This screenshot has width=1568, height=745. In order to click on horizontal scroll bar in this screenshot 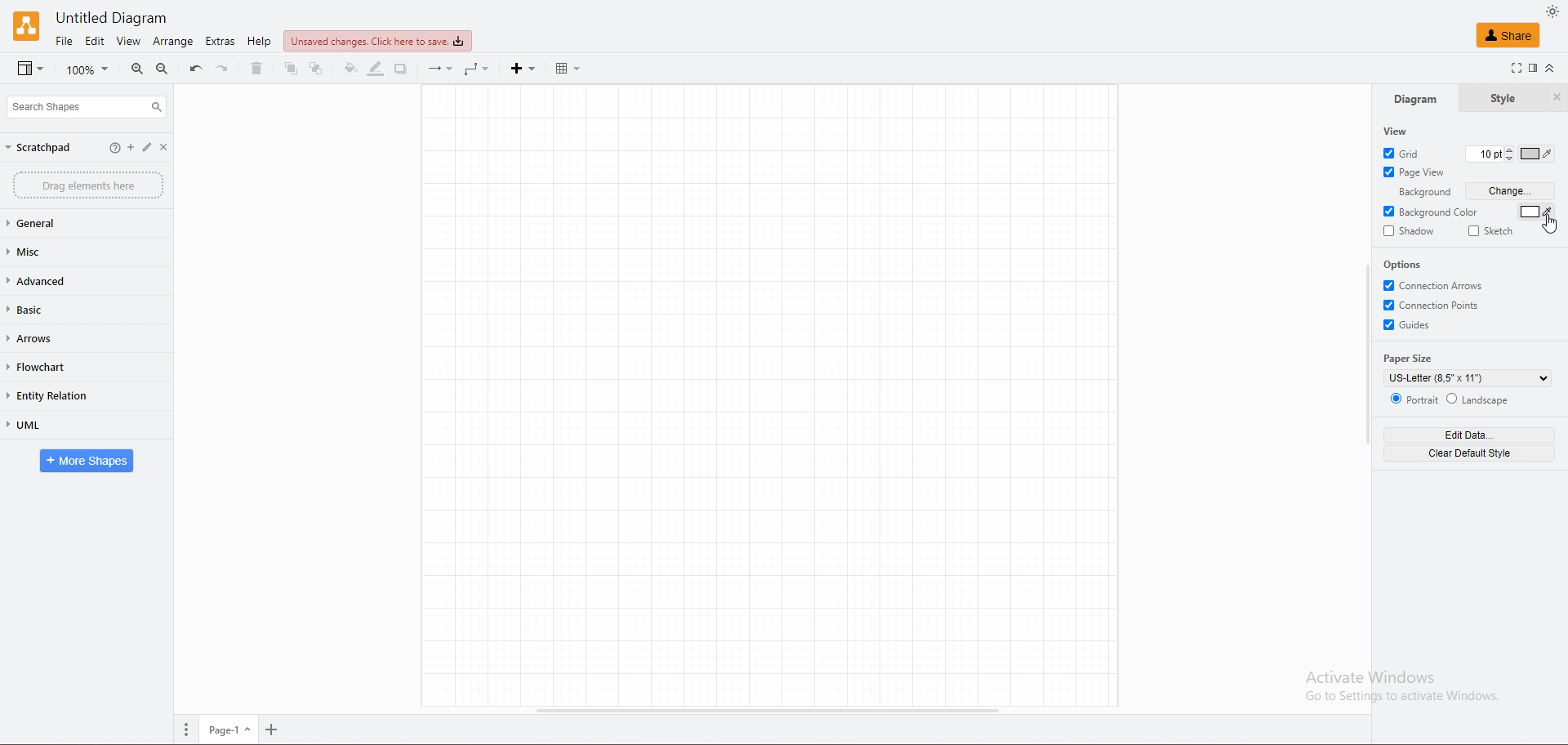, I will do `click(764, 712)`.